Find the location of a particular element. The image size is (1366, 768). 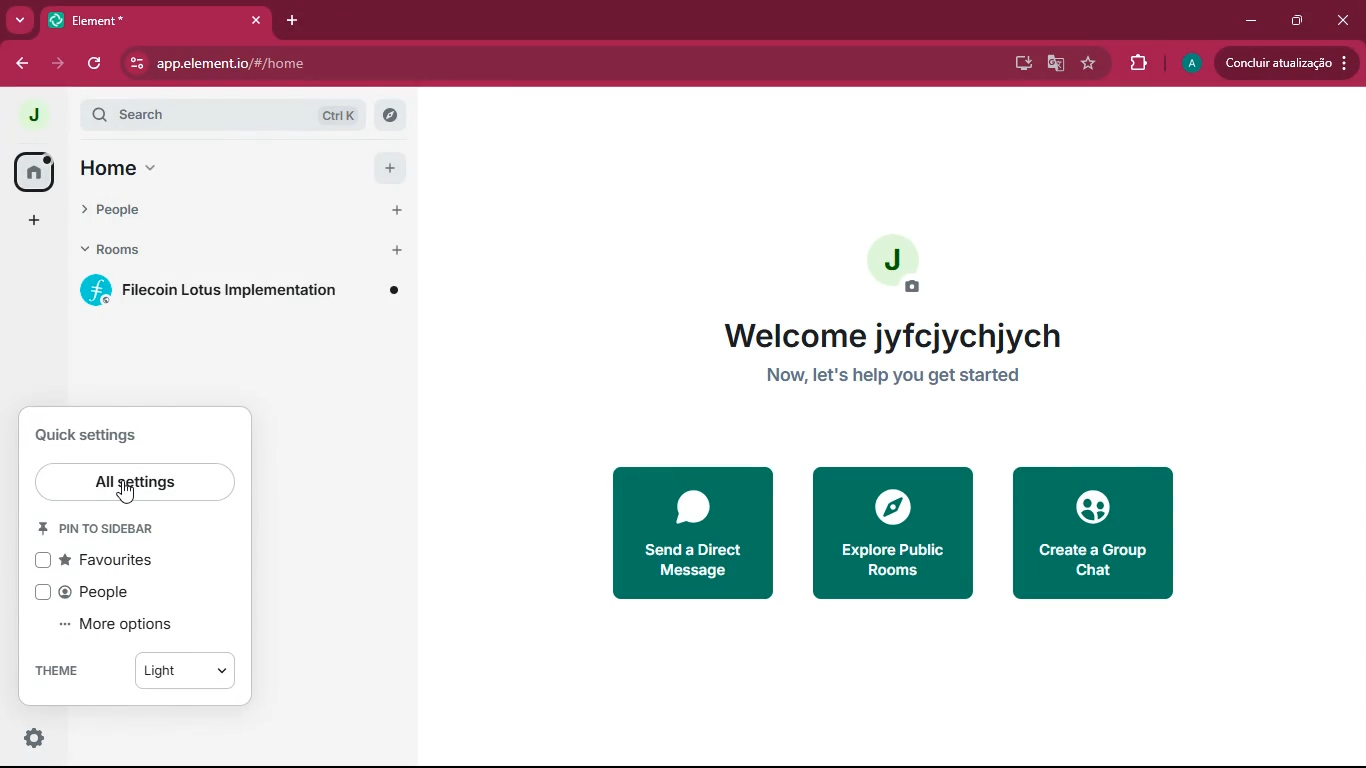

quick settings is located at coordinates (32, 735).